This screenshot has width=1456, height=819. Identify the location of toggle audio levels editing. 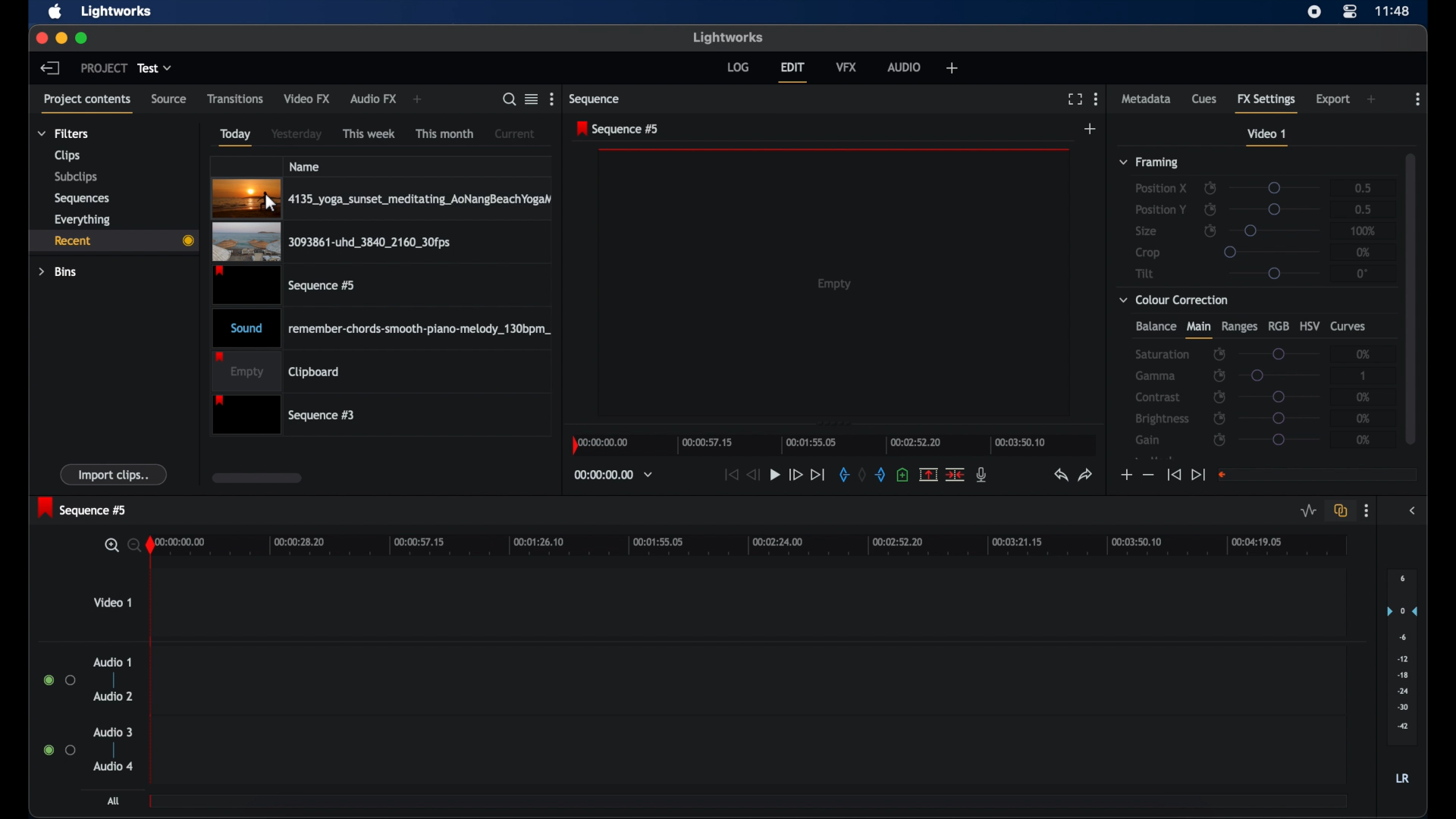
(1307, 510).